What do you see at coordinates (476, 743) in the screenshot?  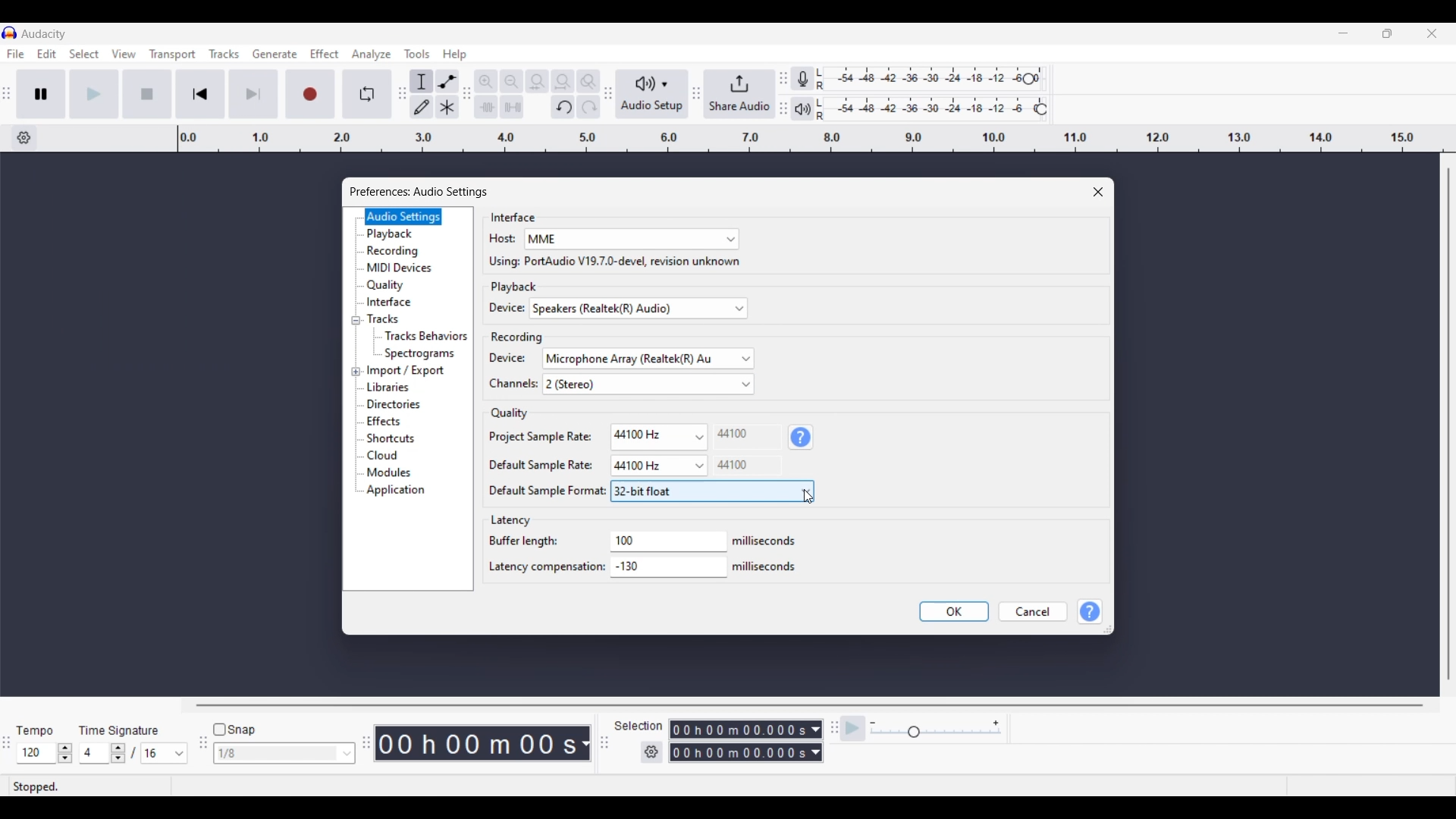 I see `Shows recorded duration` at bounding box center [476, 743].